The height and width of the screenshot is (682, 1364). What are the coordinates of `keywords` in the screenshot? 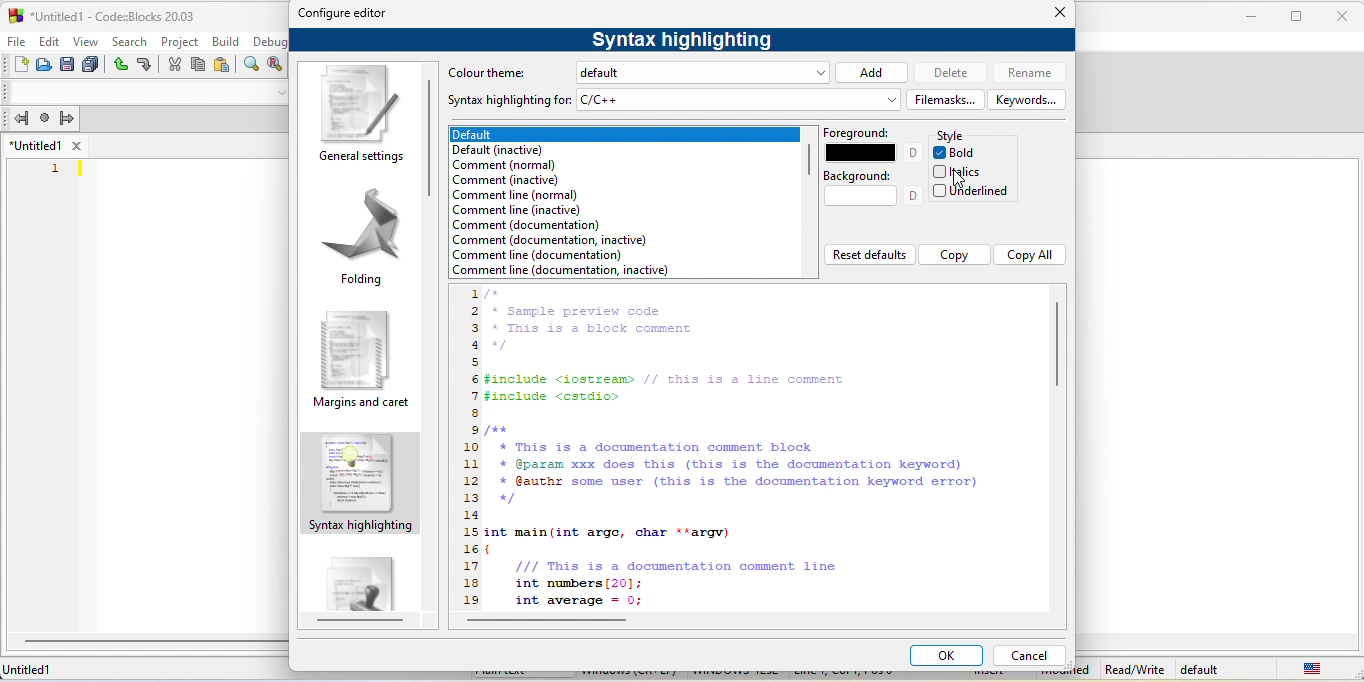 It's located at (1028, 99).